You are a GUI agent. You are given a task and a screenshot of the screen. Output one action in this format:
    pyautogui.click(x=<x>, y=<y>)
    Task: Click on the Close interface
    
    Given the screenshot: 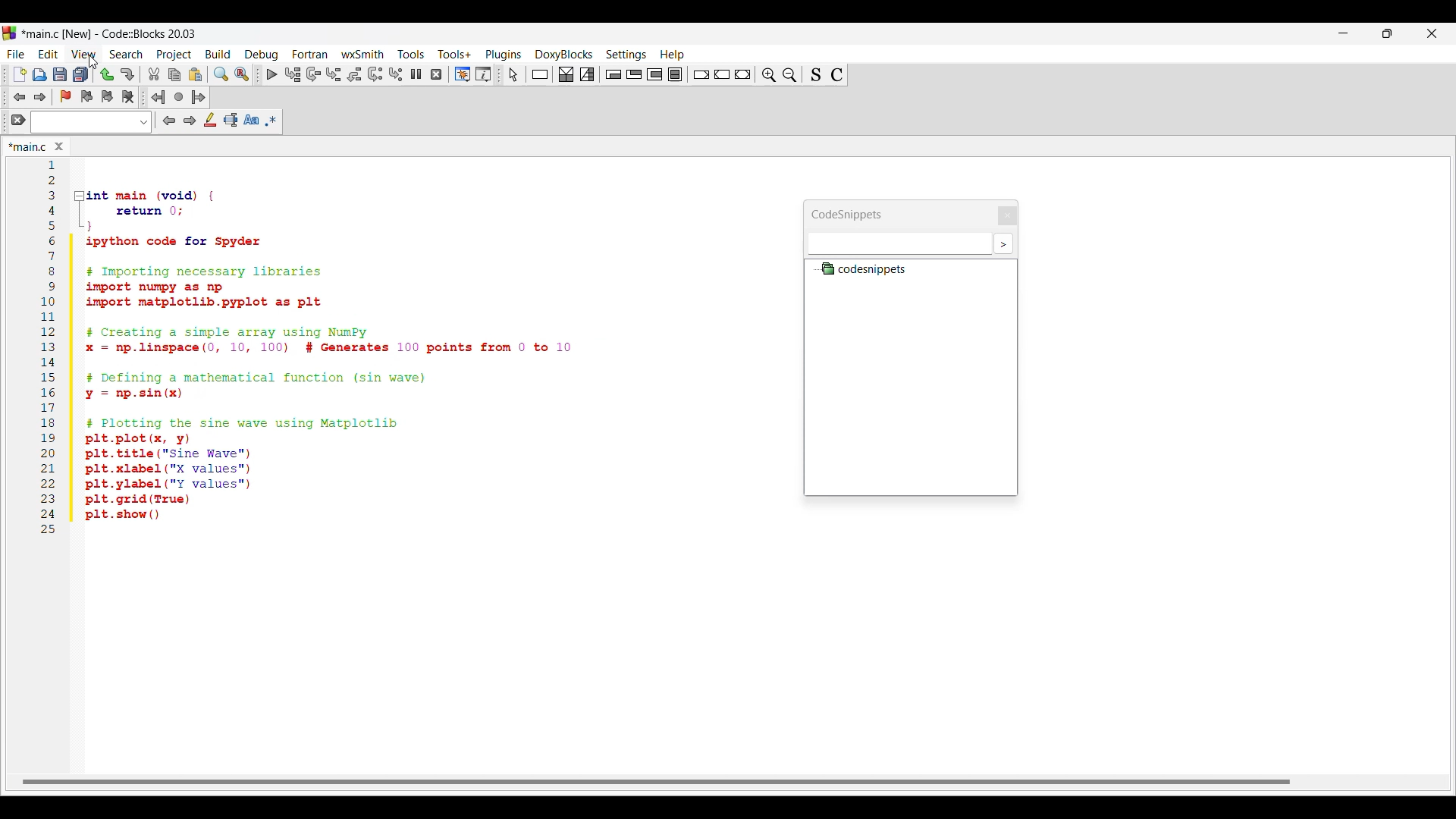 What is the action you would take?
    pyautogui.click(x=1432, y=33)
    